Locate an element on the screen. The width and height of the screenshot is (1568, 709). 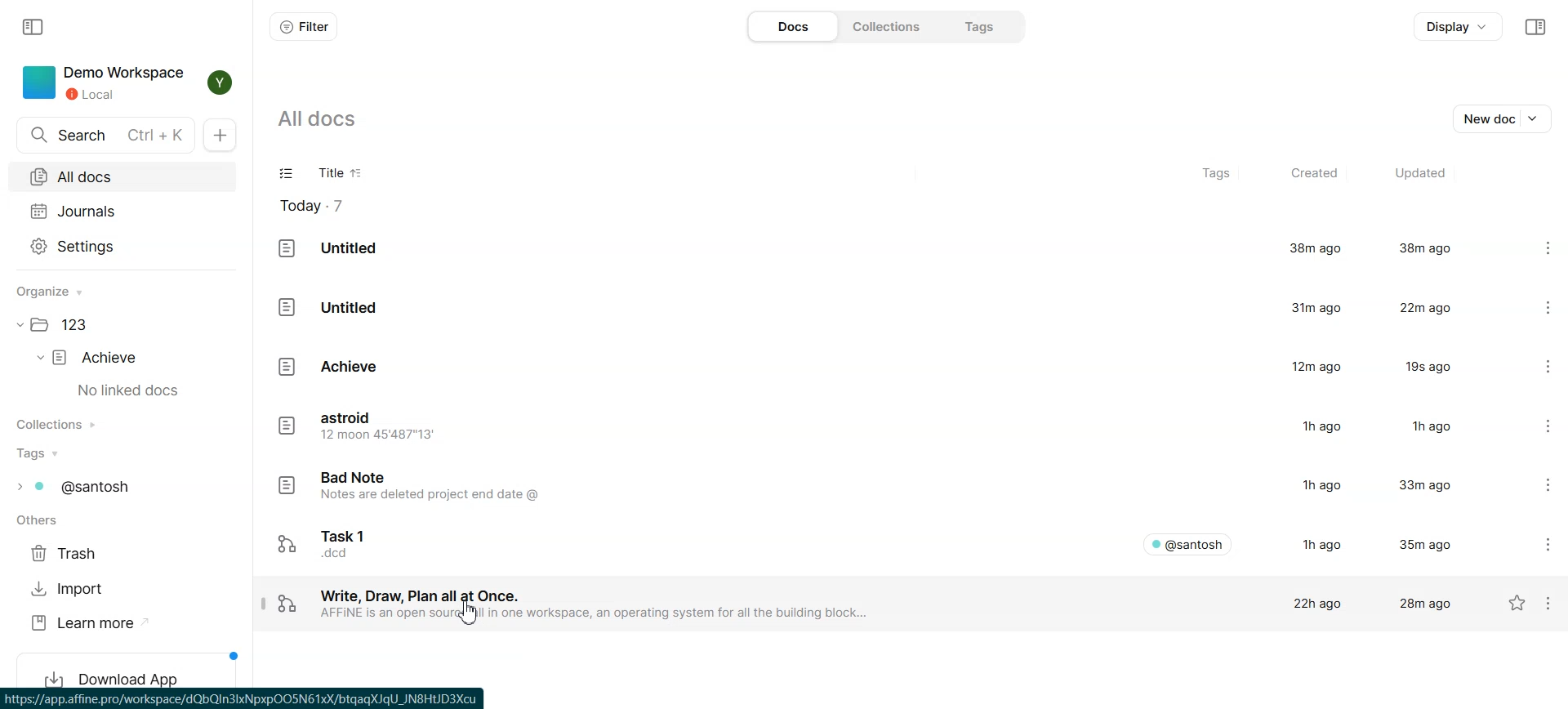
Settings is located at coordinates (1534, 366).